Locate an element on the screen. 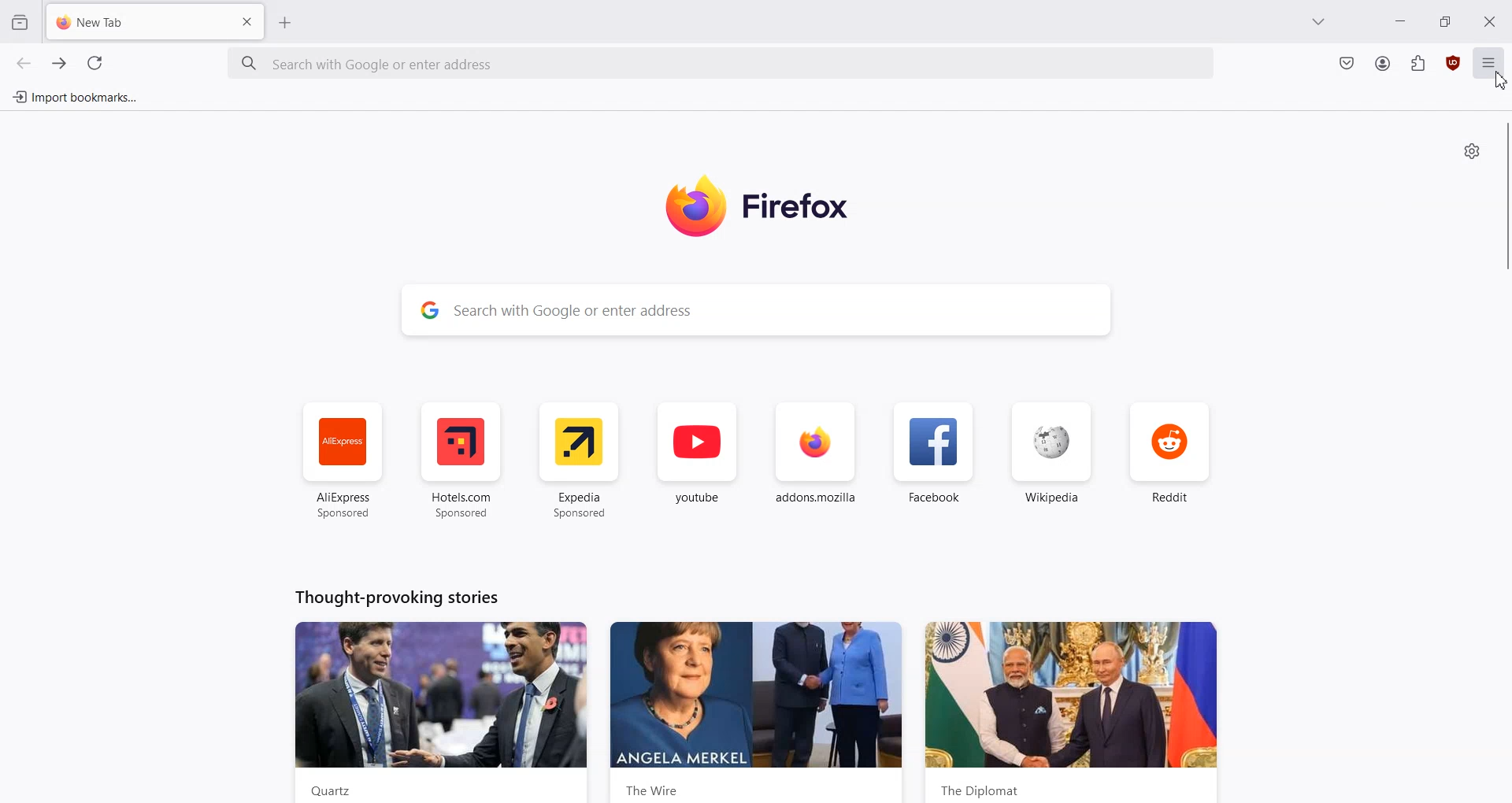 Image resolution: width=1512 pixels, height=803 pixels. Expedia Sponsored is located at coordinates (580, 460).